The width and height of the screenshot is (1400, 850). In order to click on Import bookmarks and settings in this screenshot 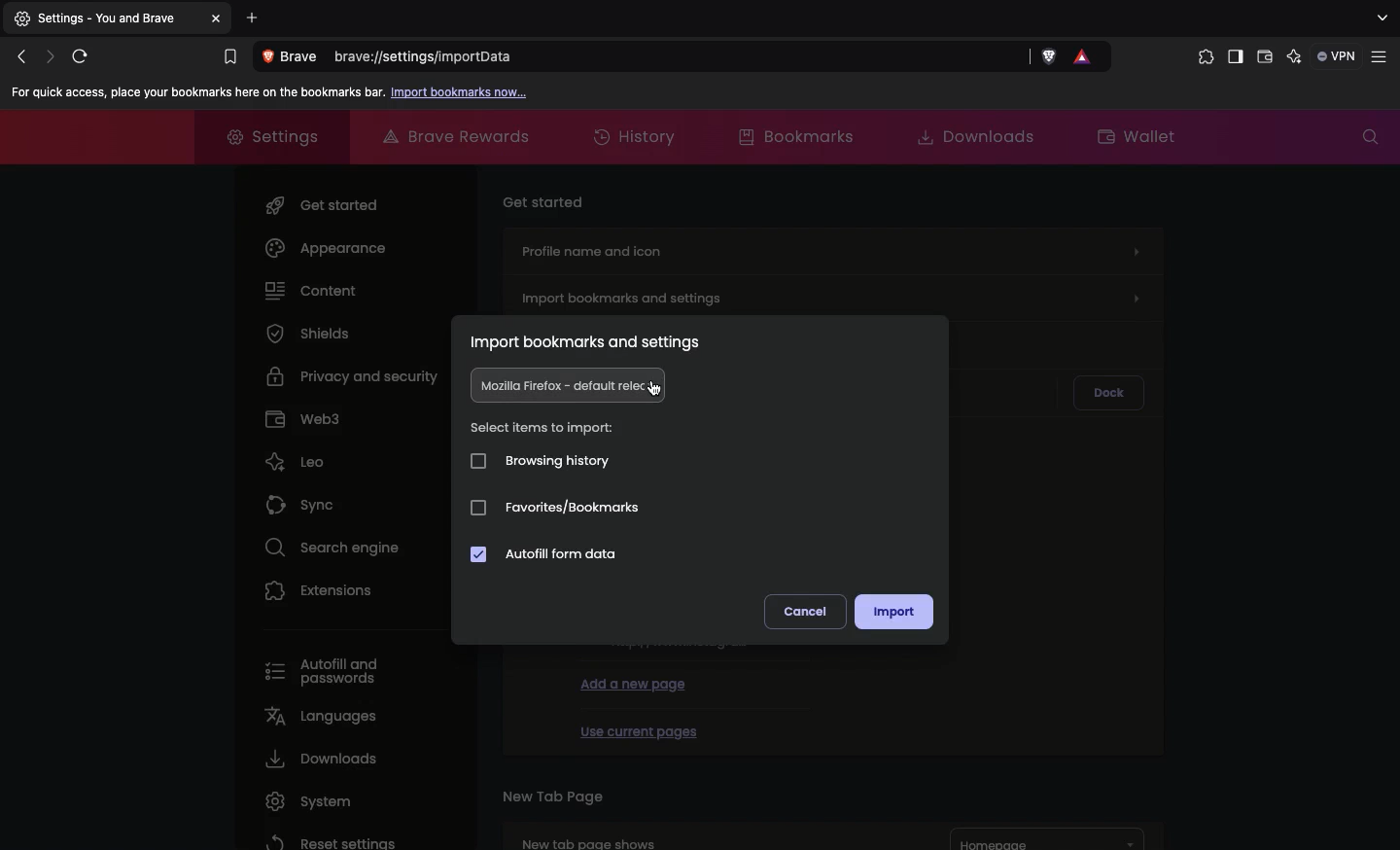, I will do `click(585, 342)`.